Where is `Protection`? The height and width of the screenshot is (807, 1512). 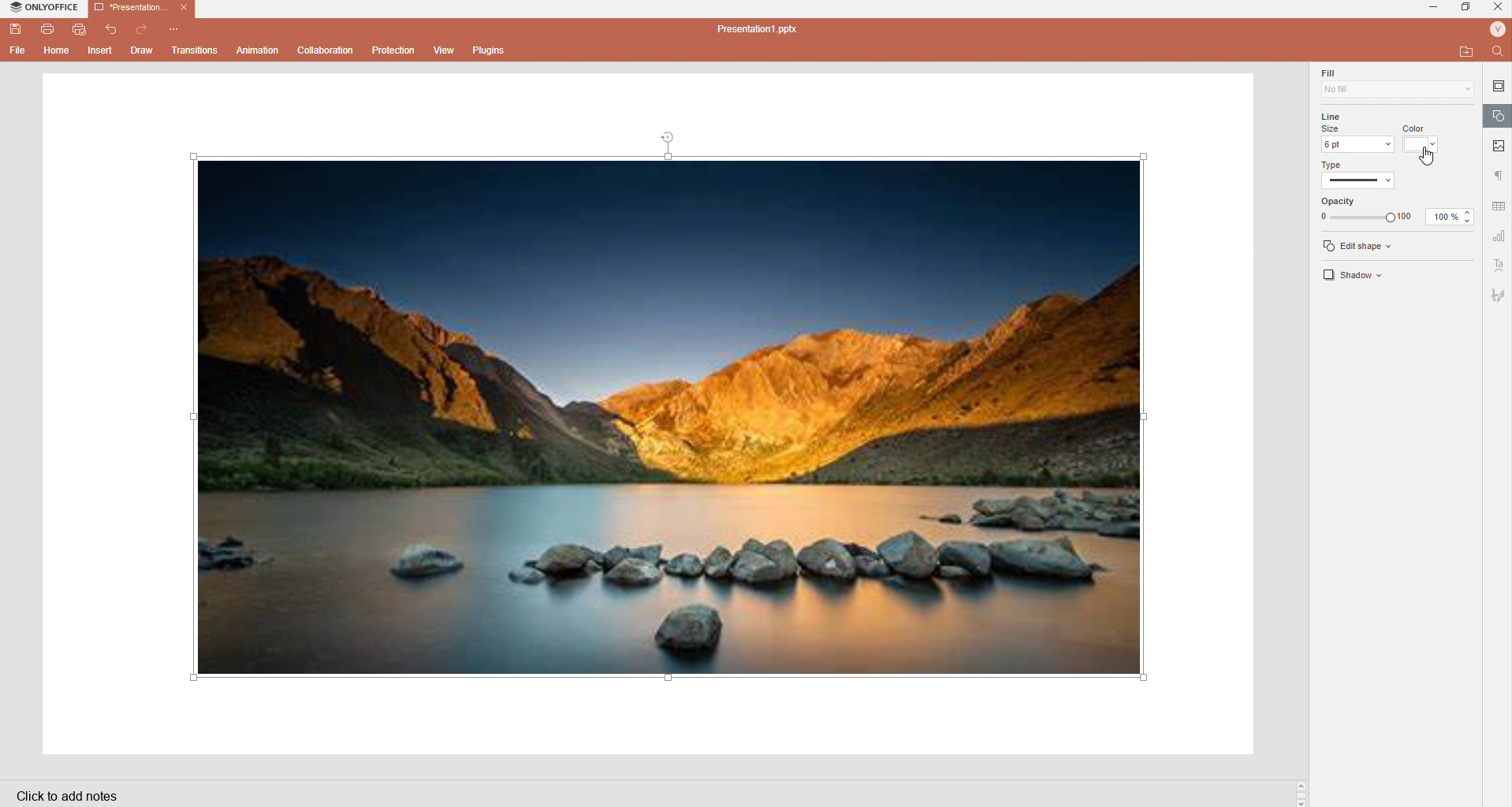 Protection is located at coordinates (396, 50).